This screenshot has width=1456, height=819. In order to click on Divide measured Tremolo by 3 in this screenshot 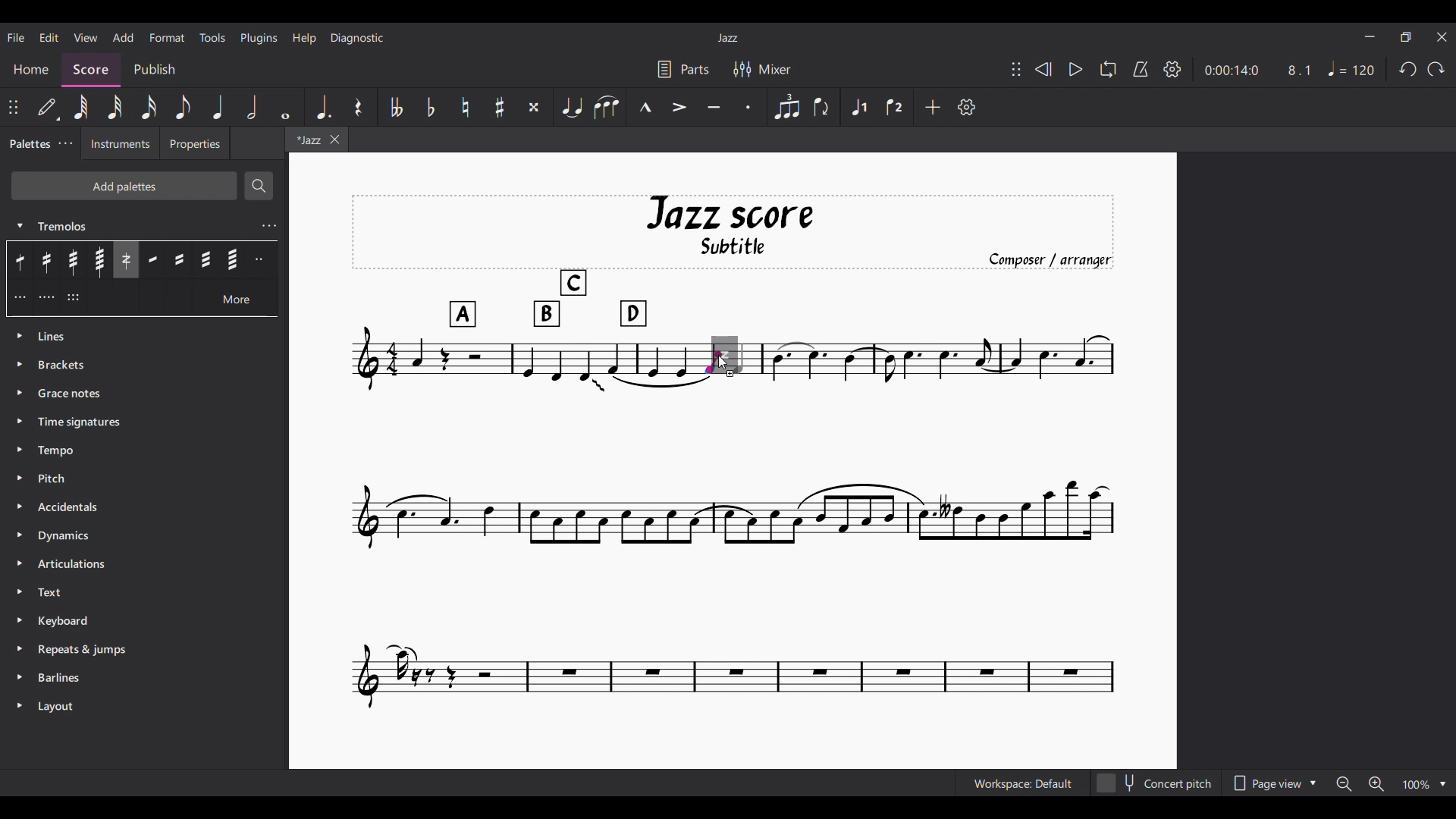, I will do `click(20, 297)`.